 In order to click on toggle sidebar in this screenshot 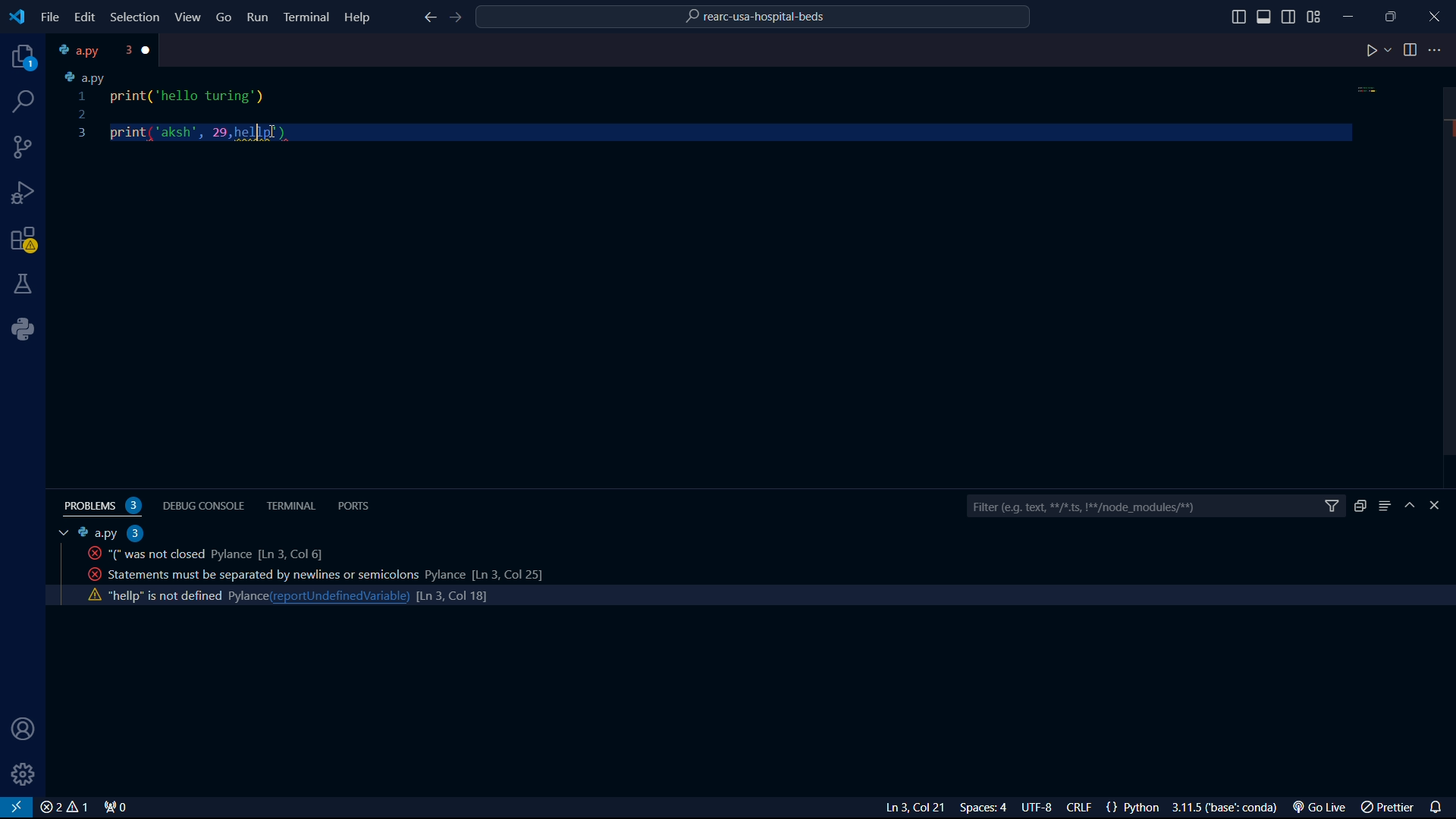, I will do `click(1266, 17)`.